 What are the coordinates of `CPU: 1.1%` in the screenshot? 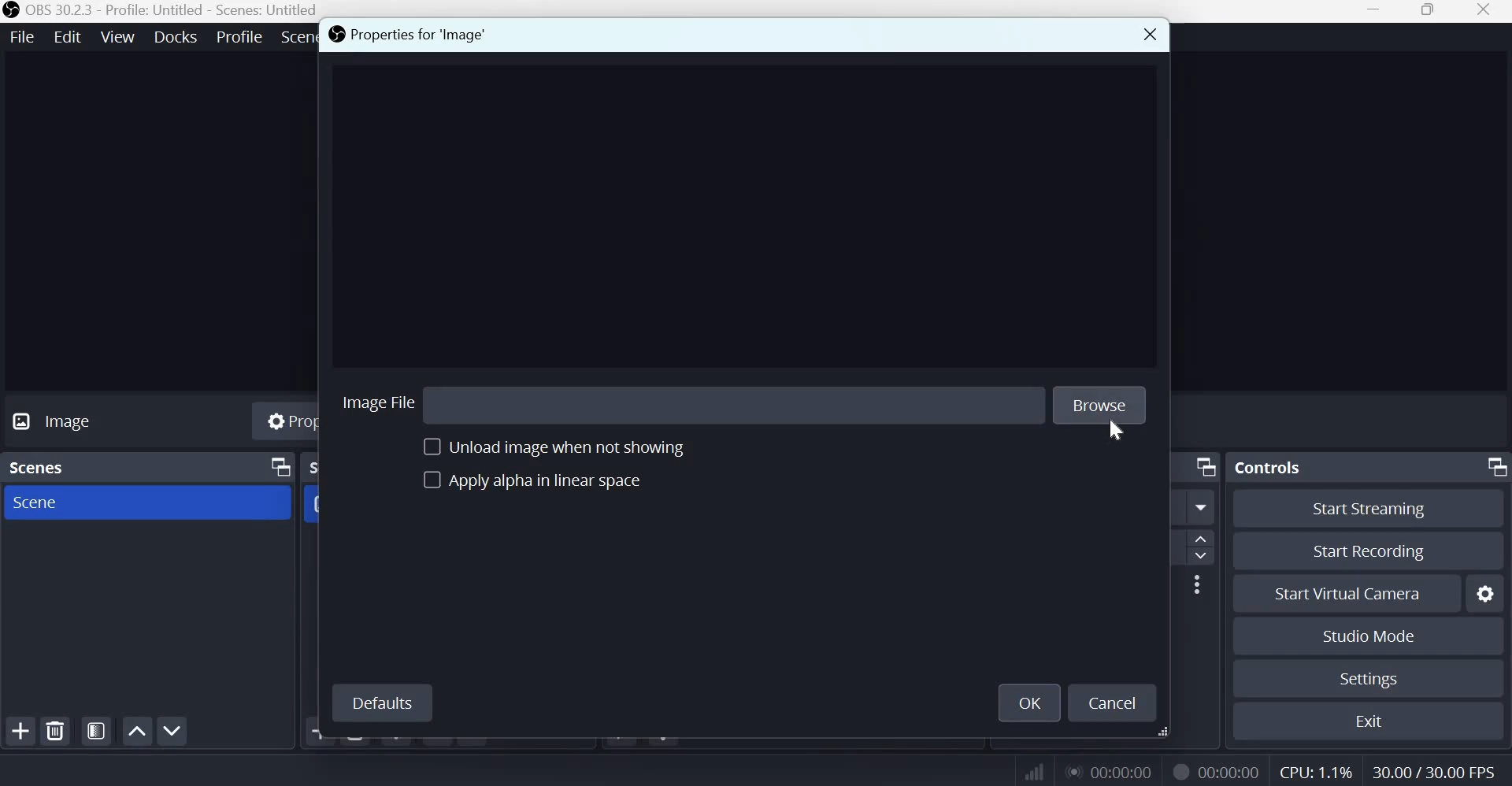 It's located at (1314, 769).